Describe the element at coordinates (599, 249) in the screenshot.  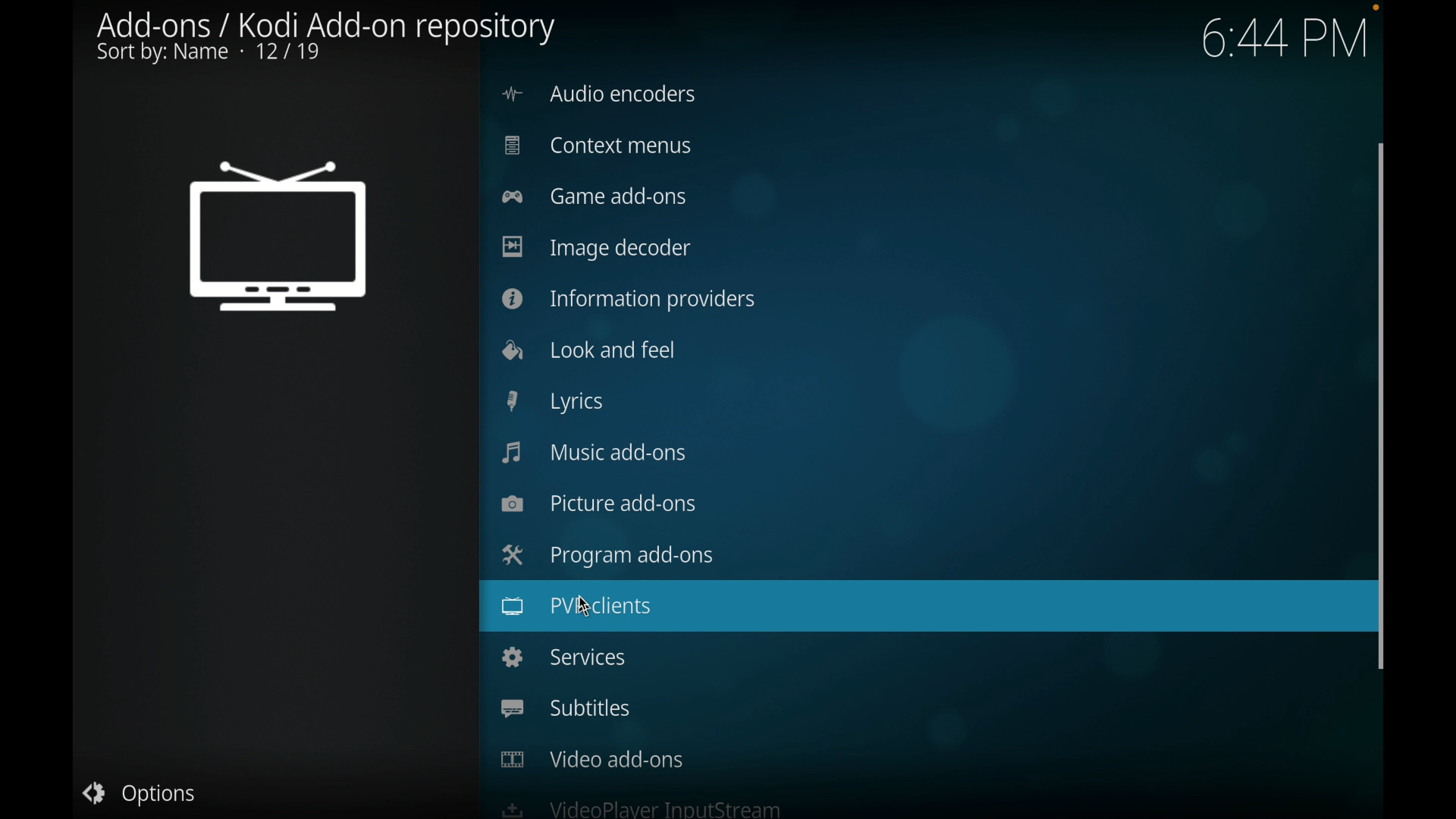
I see `image decoder` at that location.